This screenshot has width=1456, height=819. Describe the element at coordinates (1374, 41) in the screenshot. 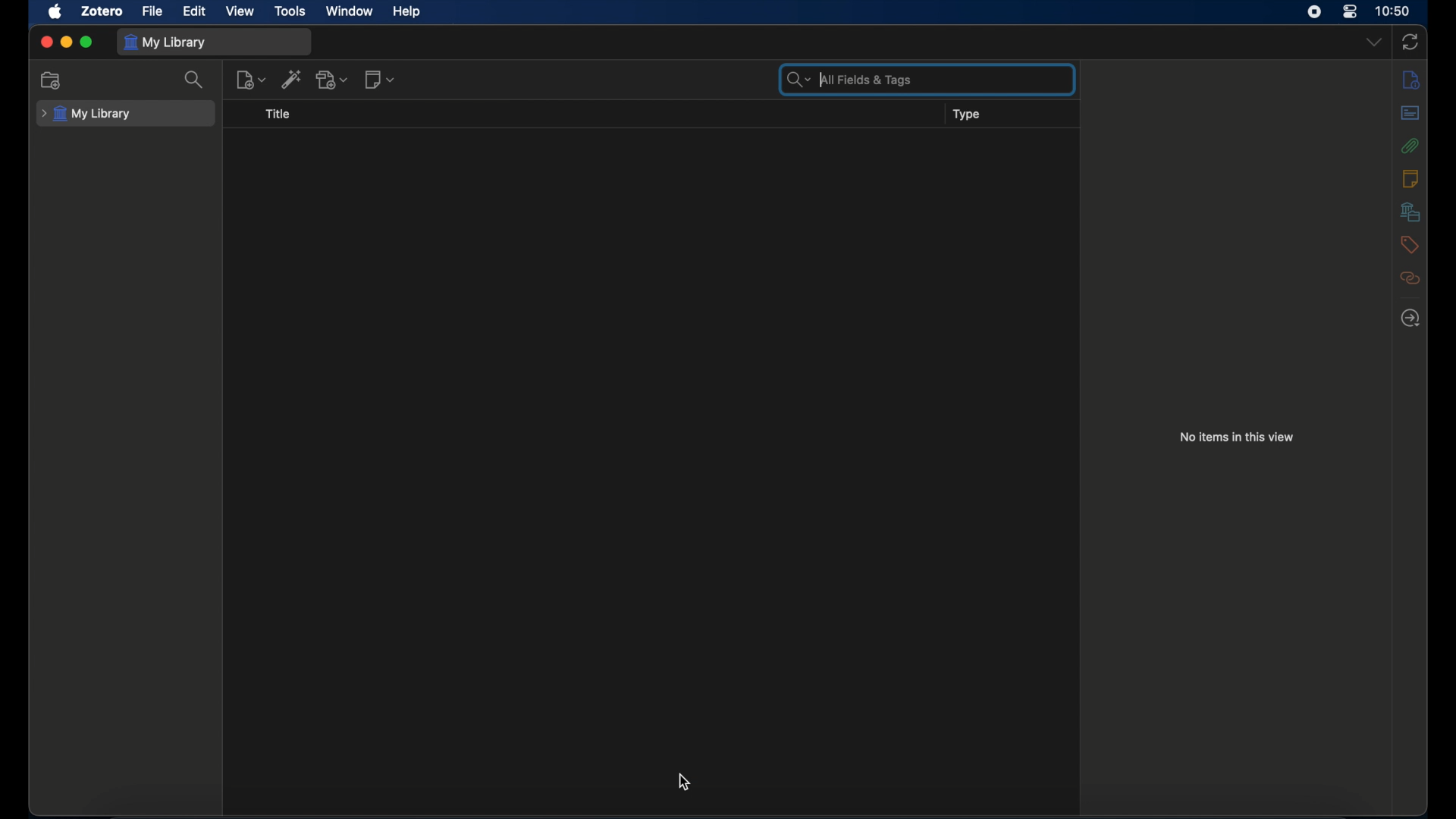

I see `dropdown` at that location.